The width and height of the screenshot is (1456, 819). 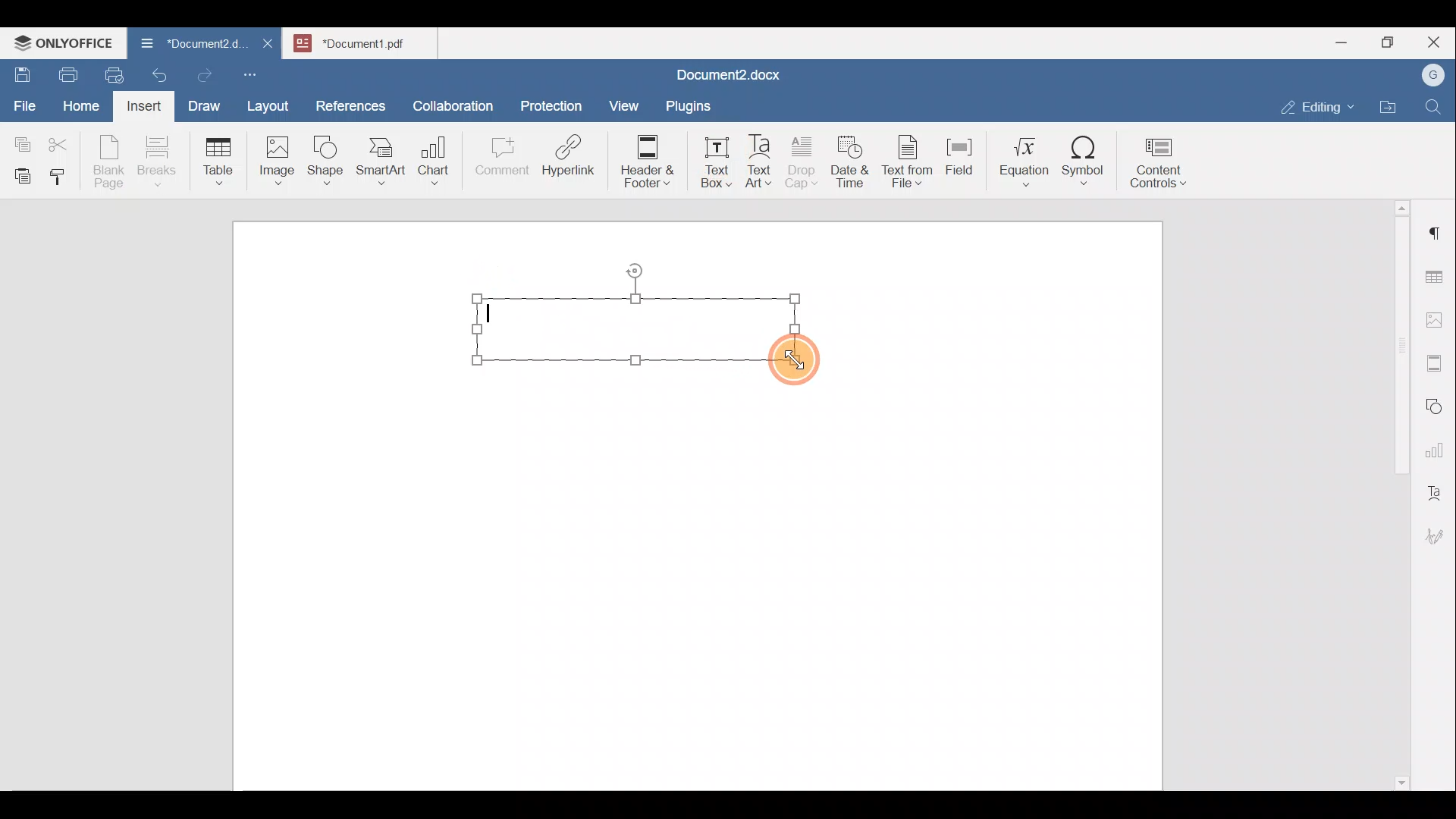 What do you see at coordinates (378, 158) in the screenshot?
I see `SmartArt` at bounding box center [378, 158].